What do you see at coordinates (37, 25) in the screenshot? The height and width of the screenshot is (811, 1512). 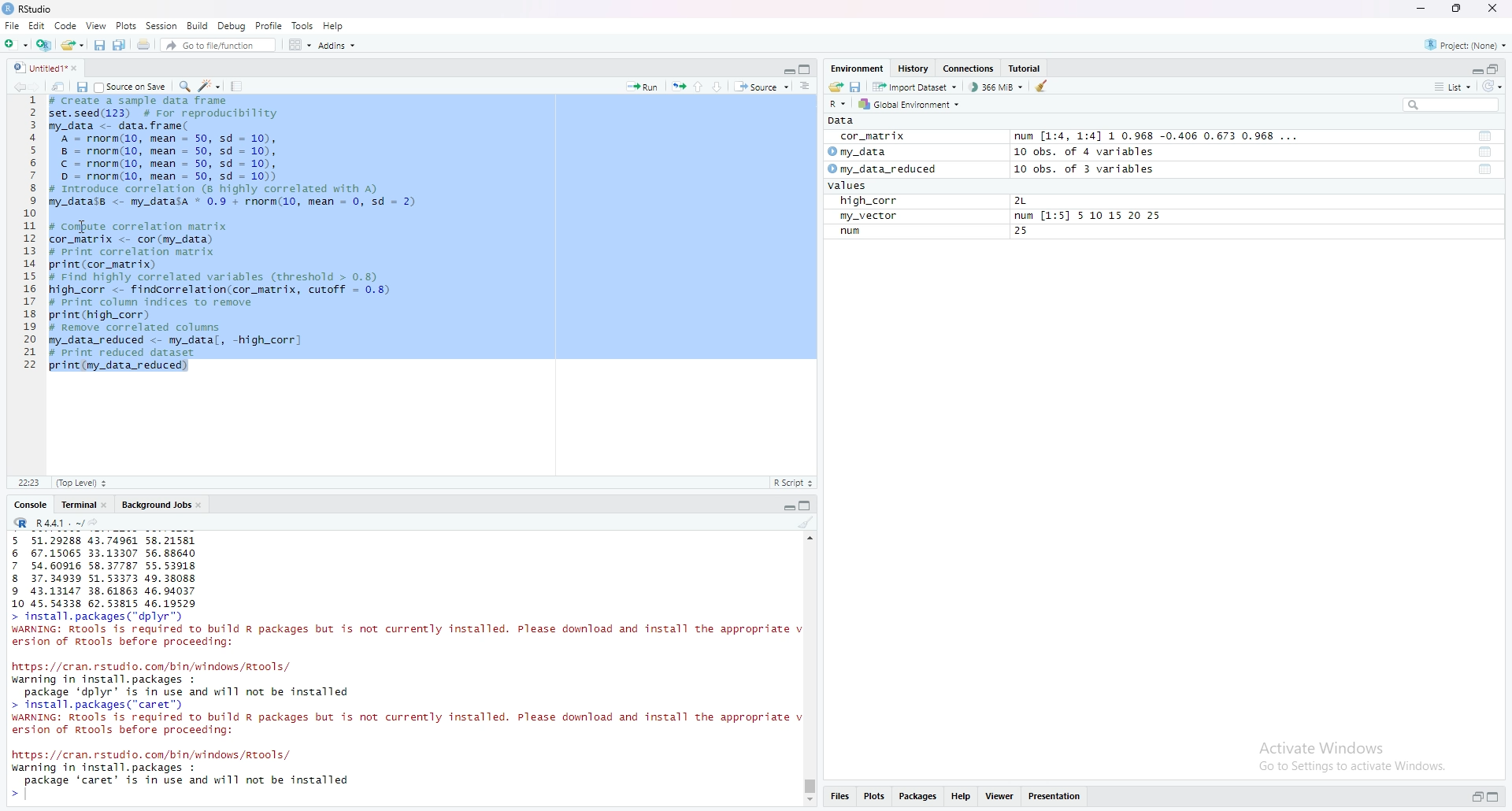 I see `Edit ` at bounding box center [37, 25].